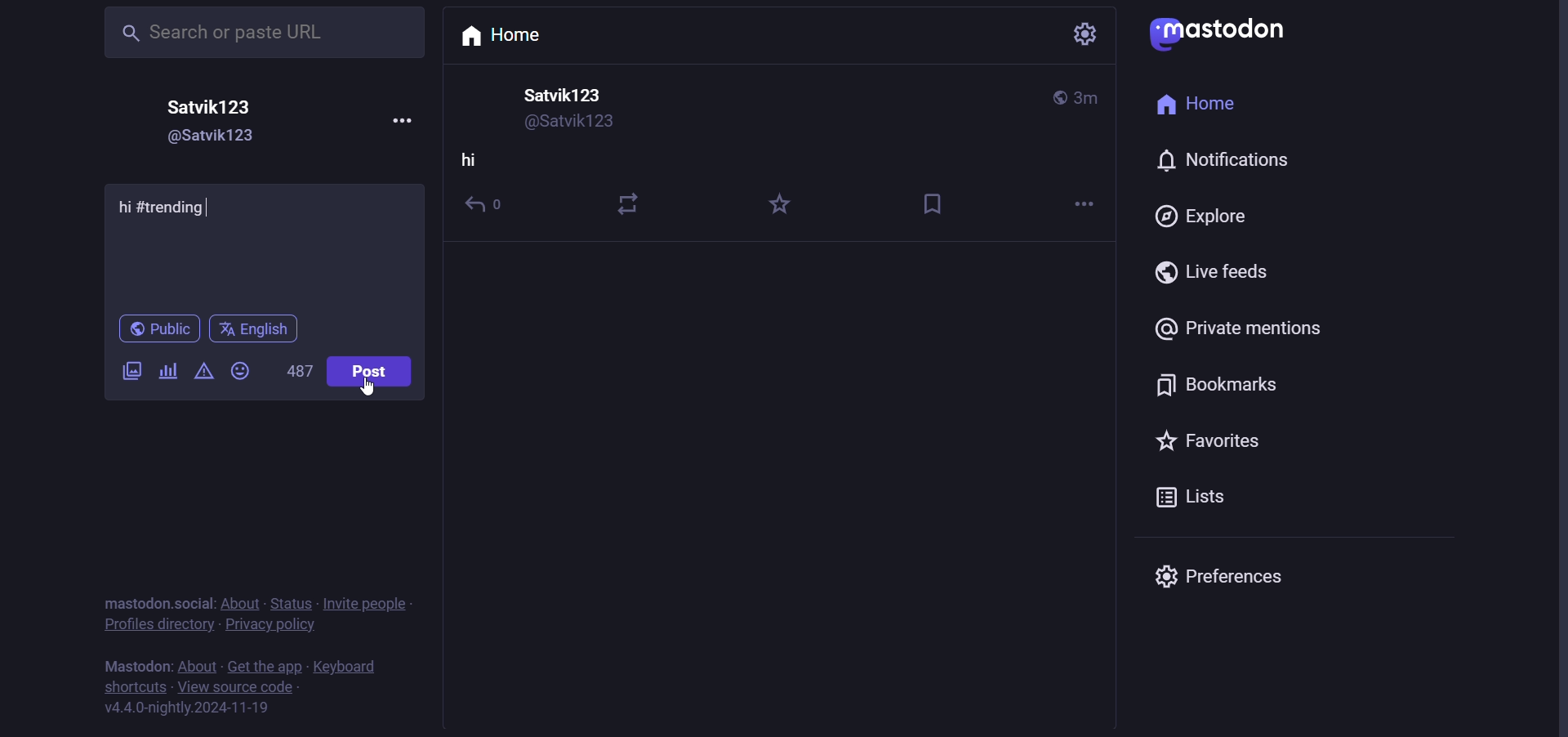 The image size is (1568, 737). What do you see at coordinates (1088, 98) in the screenshot?
I see `last modified` at bounding box center [1088, 98].